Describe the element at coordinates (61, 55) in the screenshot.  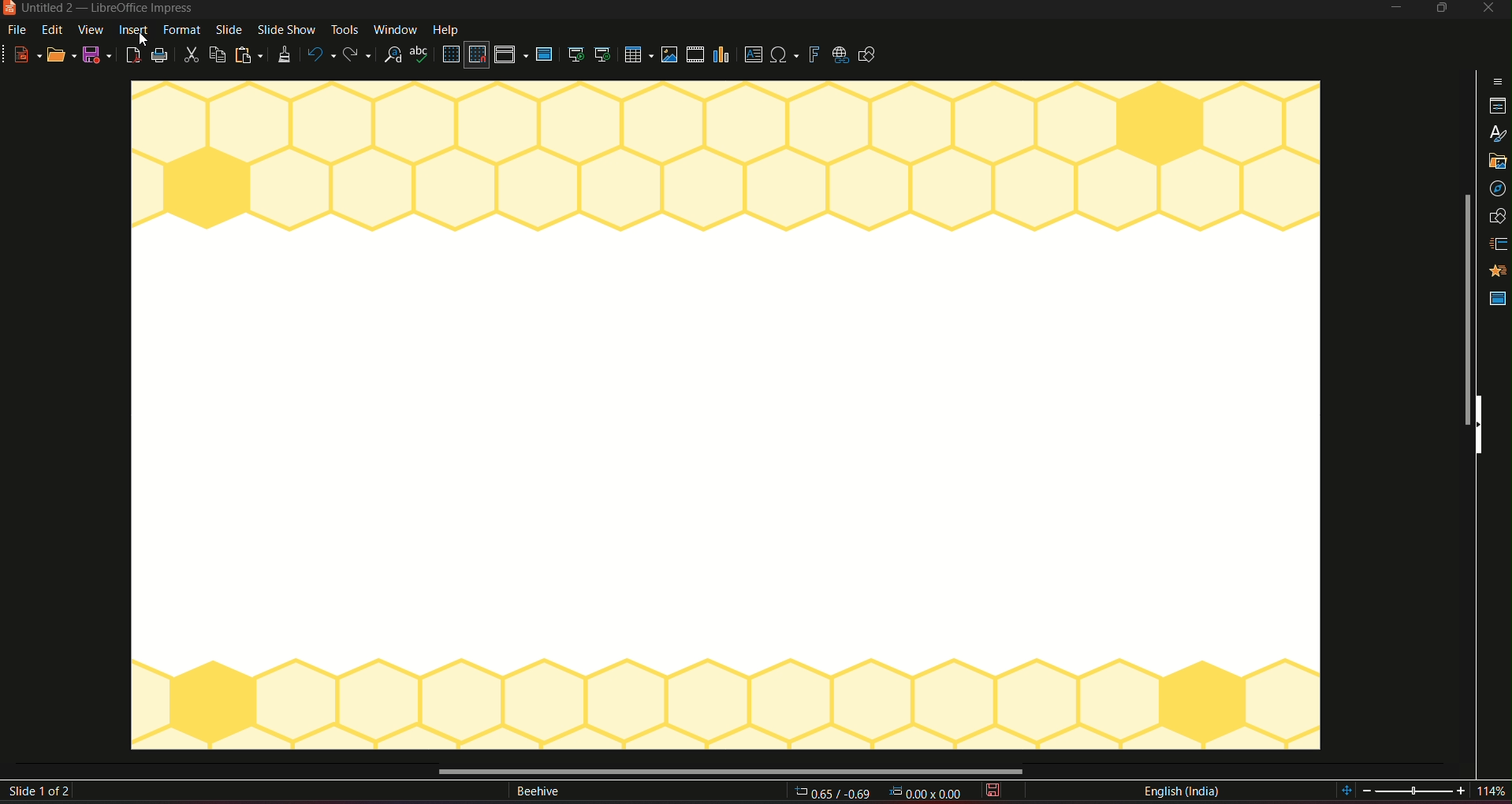
I see `open` at that location.